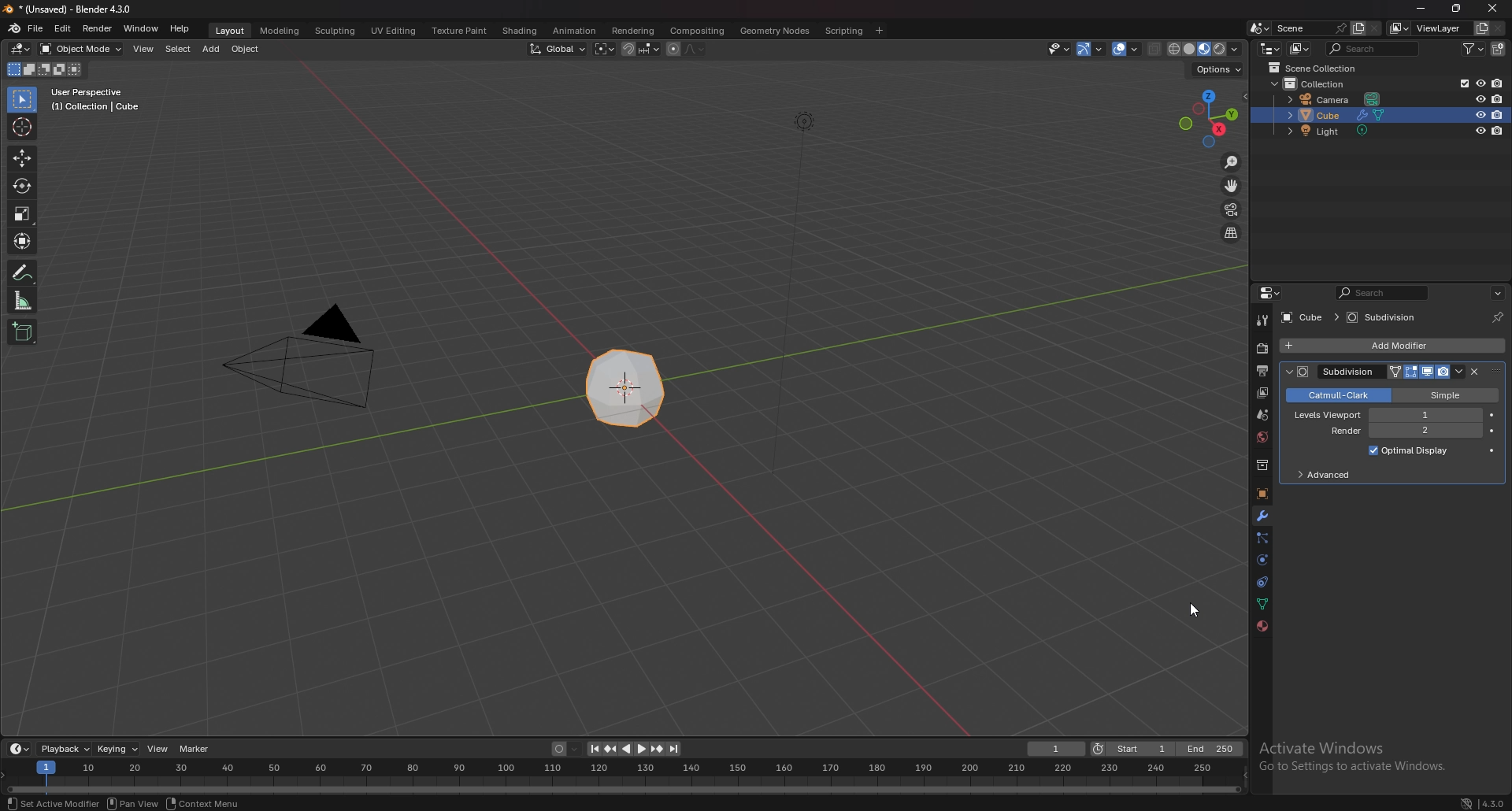  I want to click on data, so click(1261, 604).